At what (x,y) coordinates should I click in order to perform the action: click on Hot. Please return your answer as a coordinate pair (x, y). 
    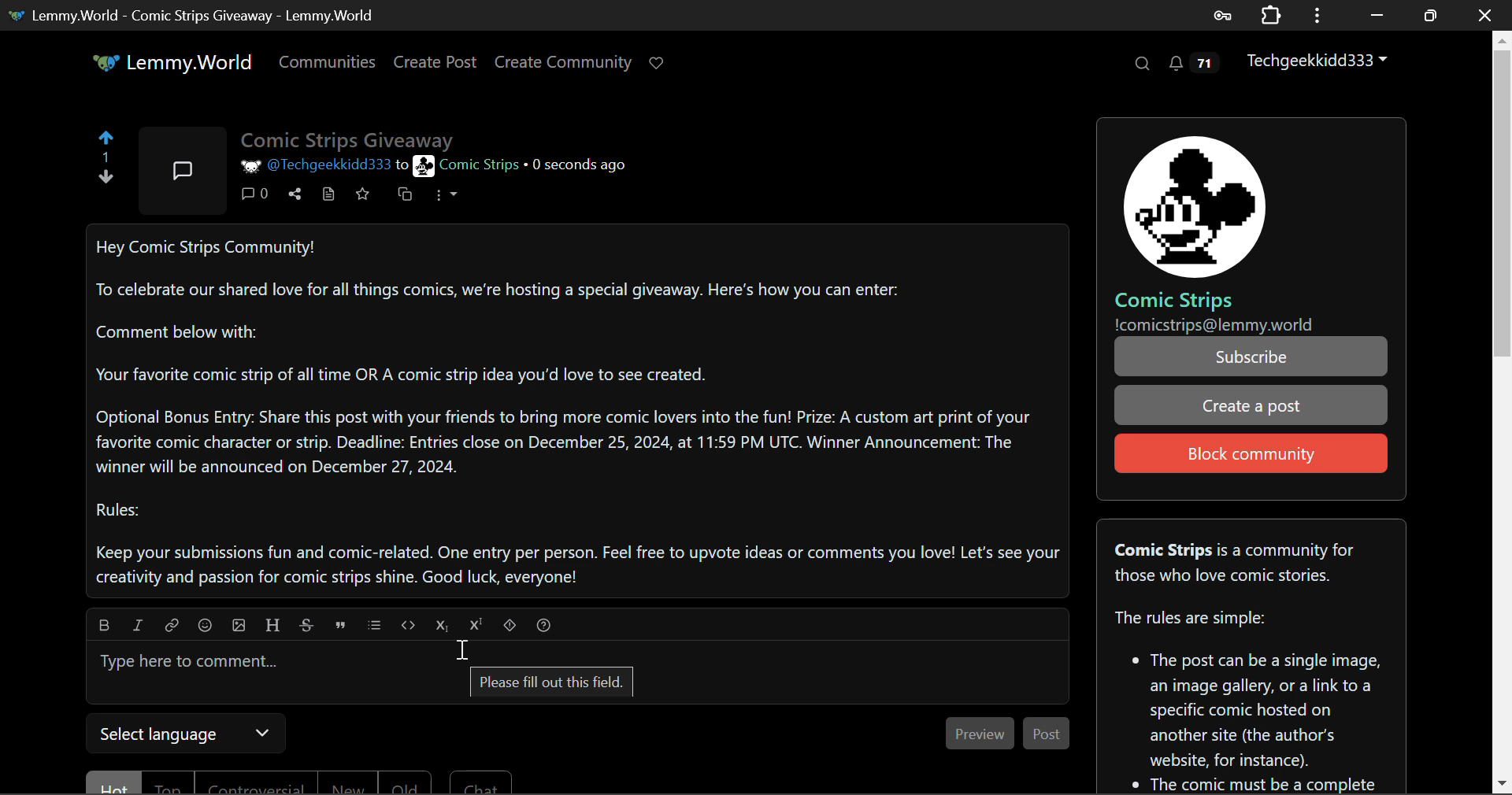
    Looking at the image, I should click on (112, 782).